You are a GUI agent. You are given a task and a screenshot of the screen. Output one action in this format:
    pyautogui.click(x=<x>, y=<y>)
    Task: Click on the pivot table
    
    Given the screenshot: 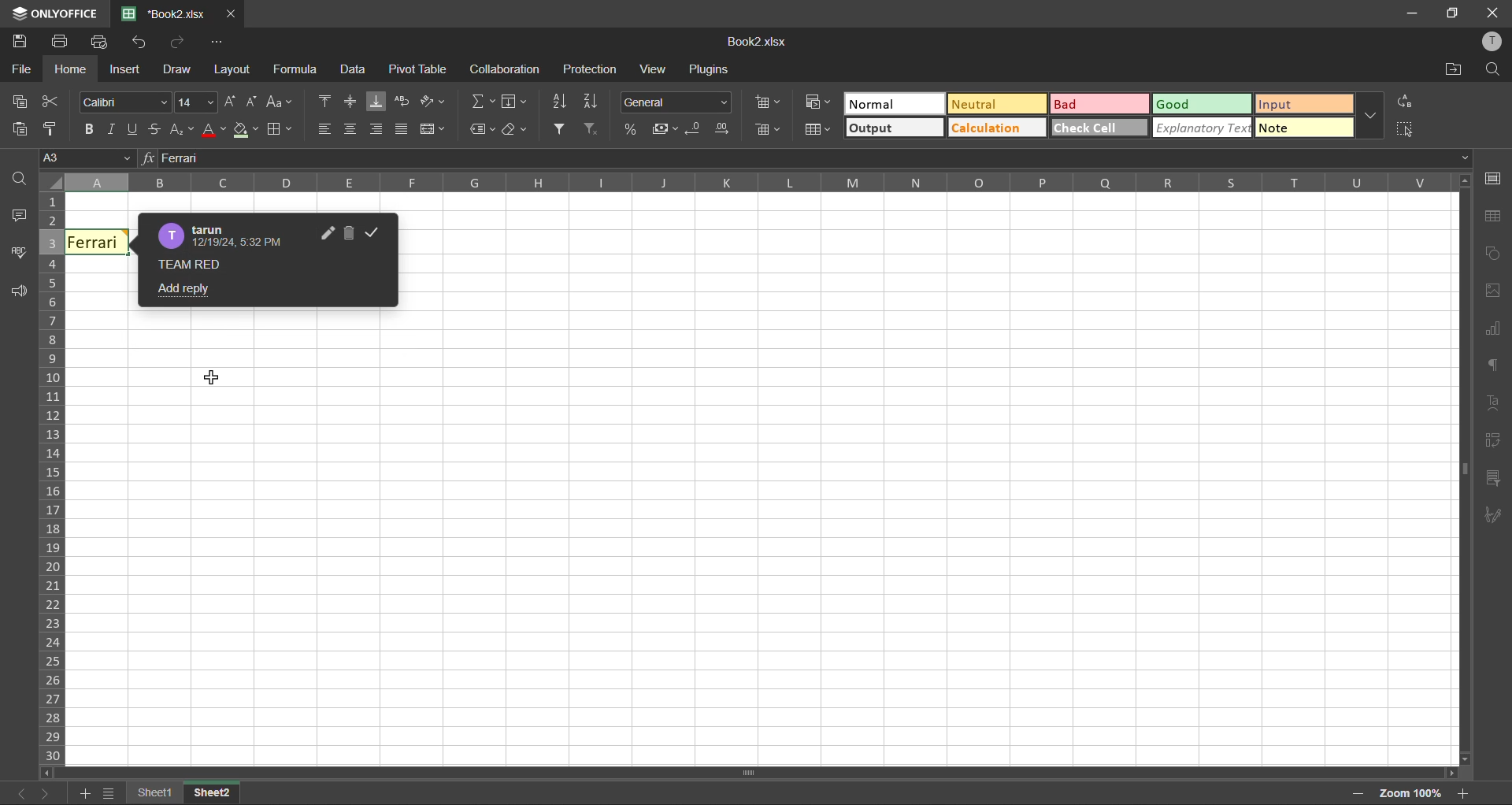 What is the action you would take?
    pyautogui.click(x=1494, y=443)
    